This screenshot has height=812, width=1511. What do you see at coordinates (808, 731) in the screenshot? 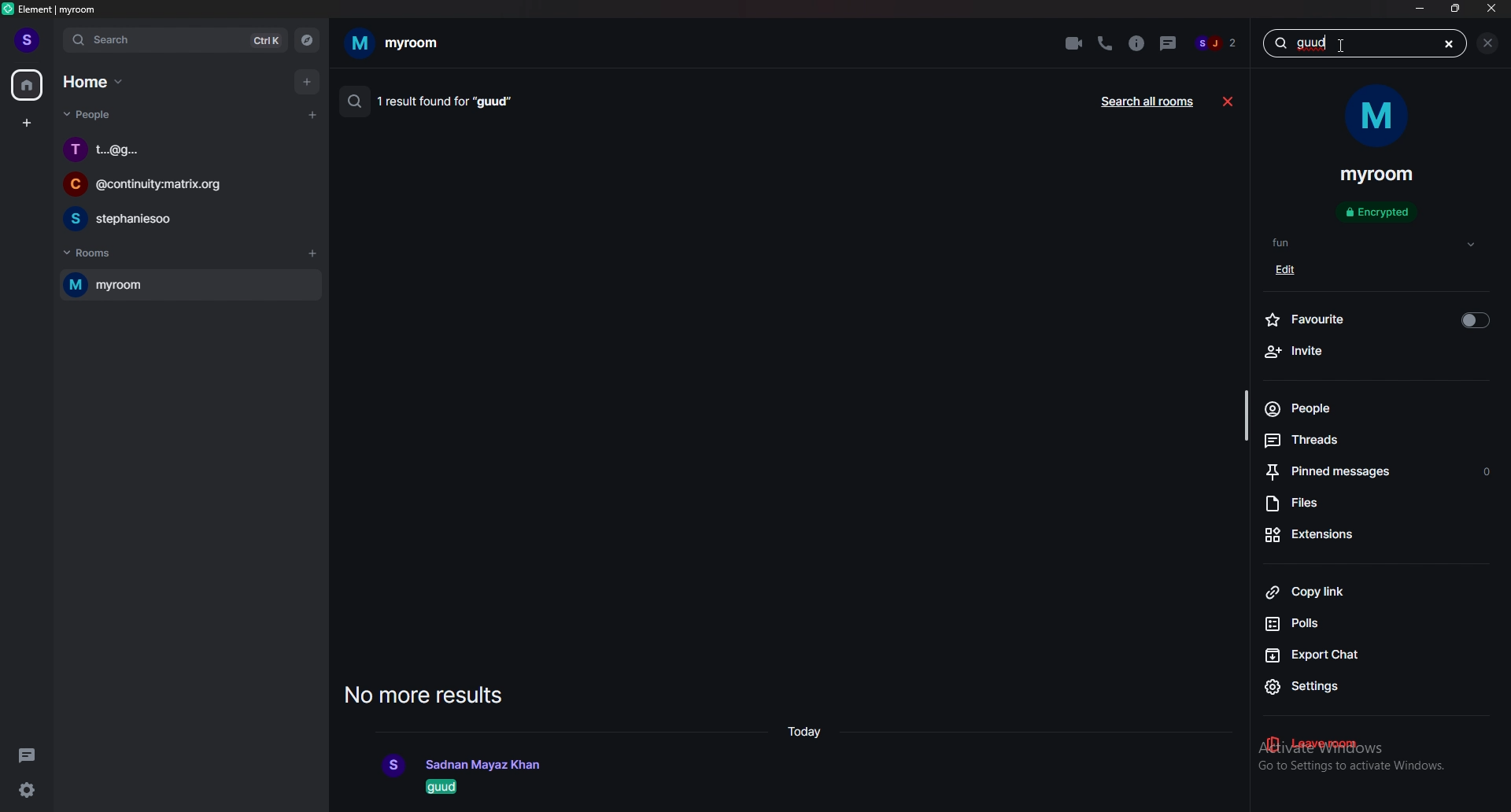
I see `time` at bounding box center [808, 731].